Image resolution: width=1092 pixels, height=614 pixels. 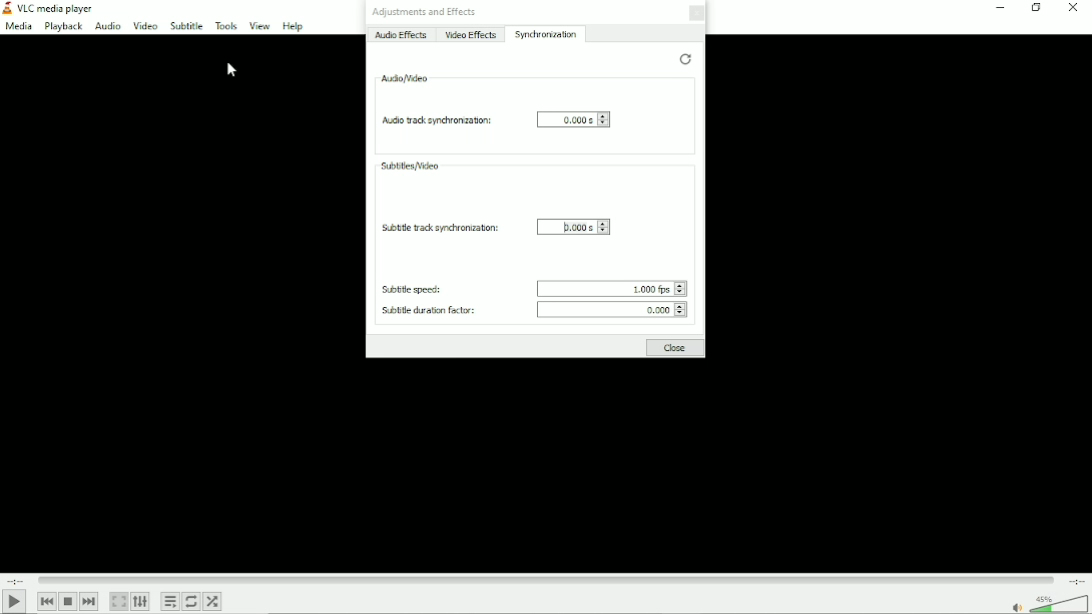 What do you see at coordinates (141, 601) in the screenshot?
I see `show extended settings` at bounding box center [141, 601].